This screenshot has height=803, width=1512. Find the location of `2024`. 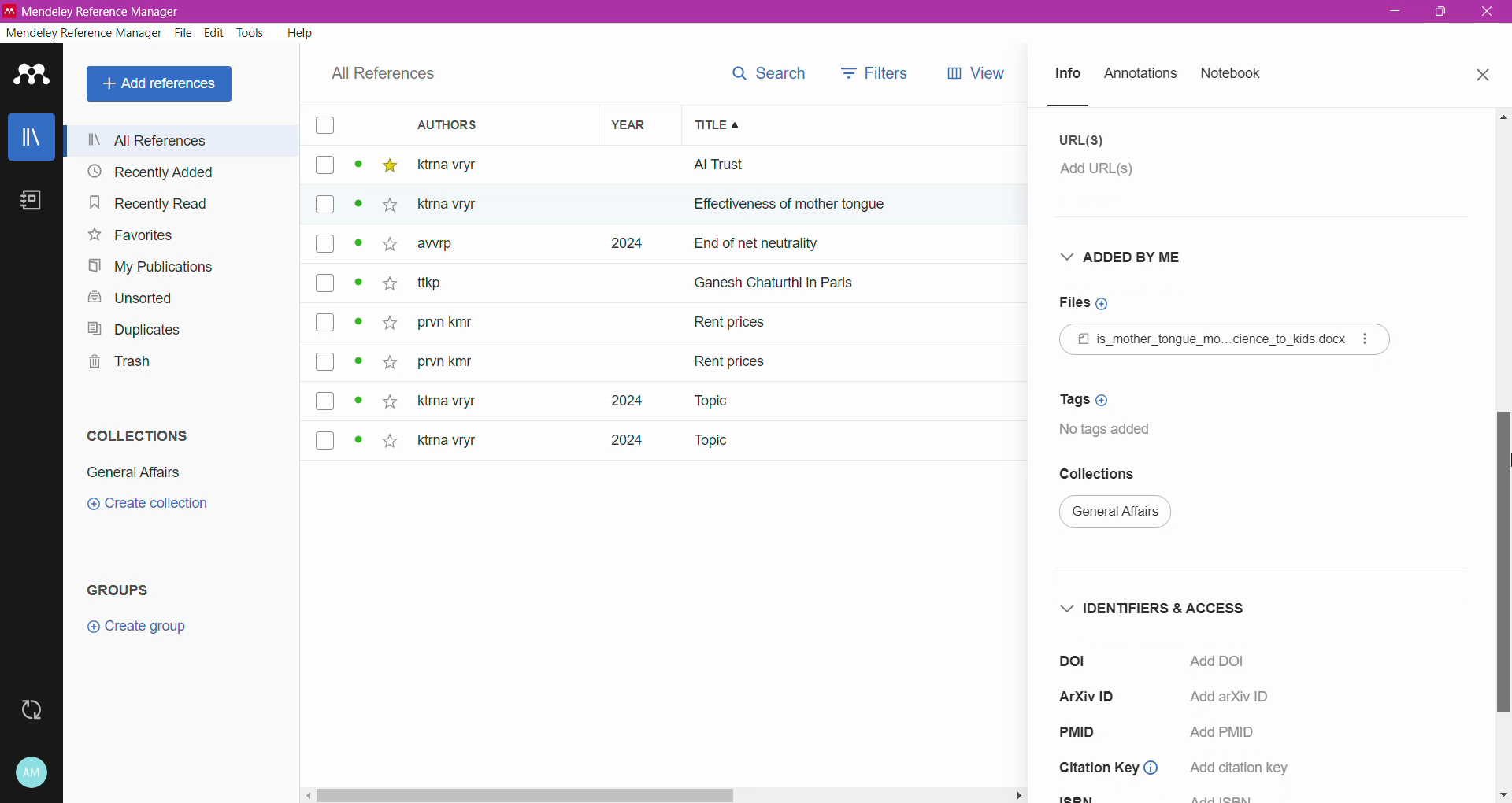

2024 is located at coordinates (613, 401).